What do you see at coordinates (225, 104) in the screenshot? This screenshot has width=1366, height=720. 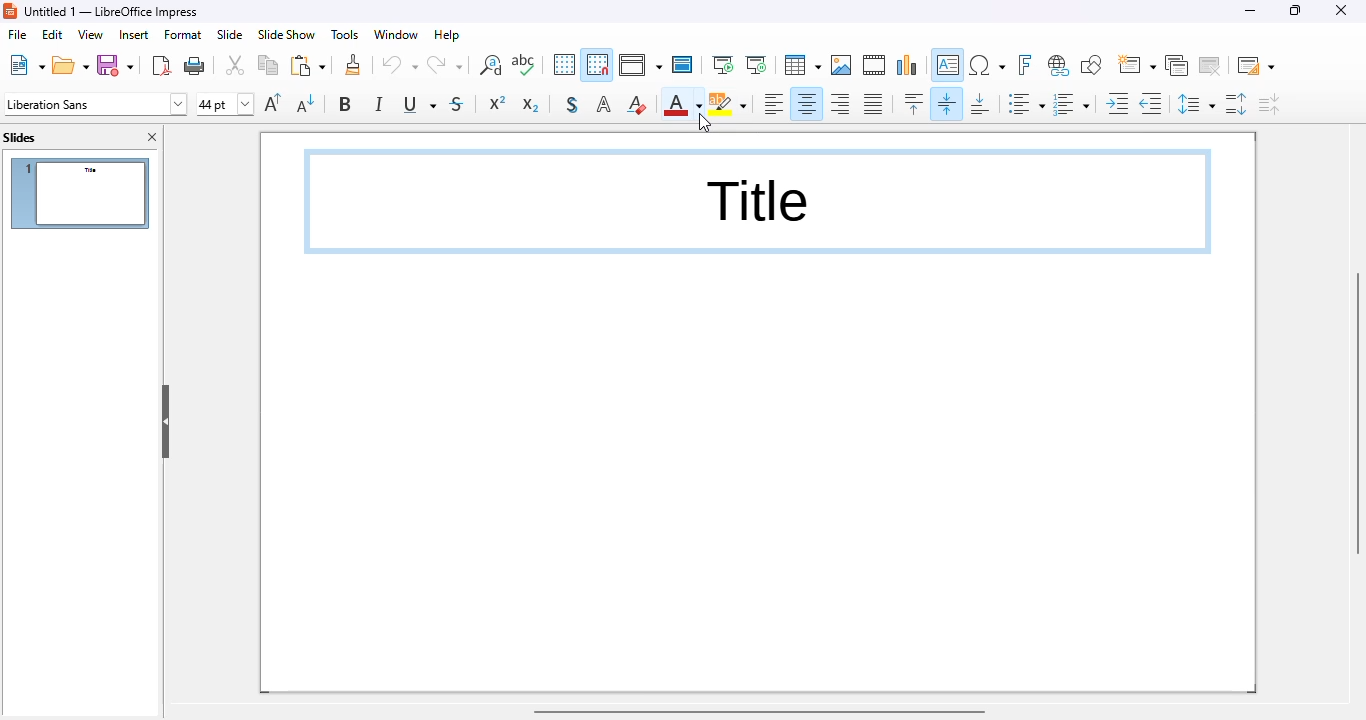 I see `font size` at bounding box center [225, 104].